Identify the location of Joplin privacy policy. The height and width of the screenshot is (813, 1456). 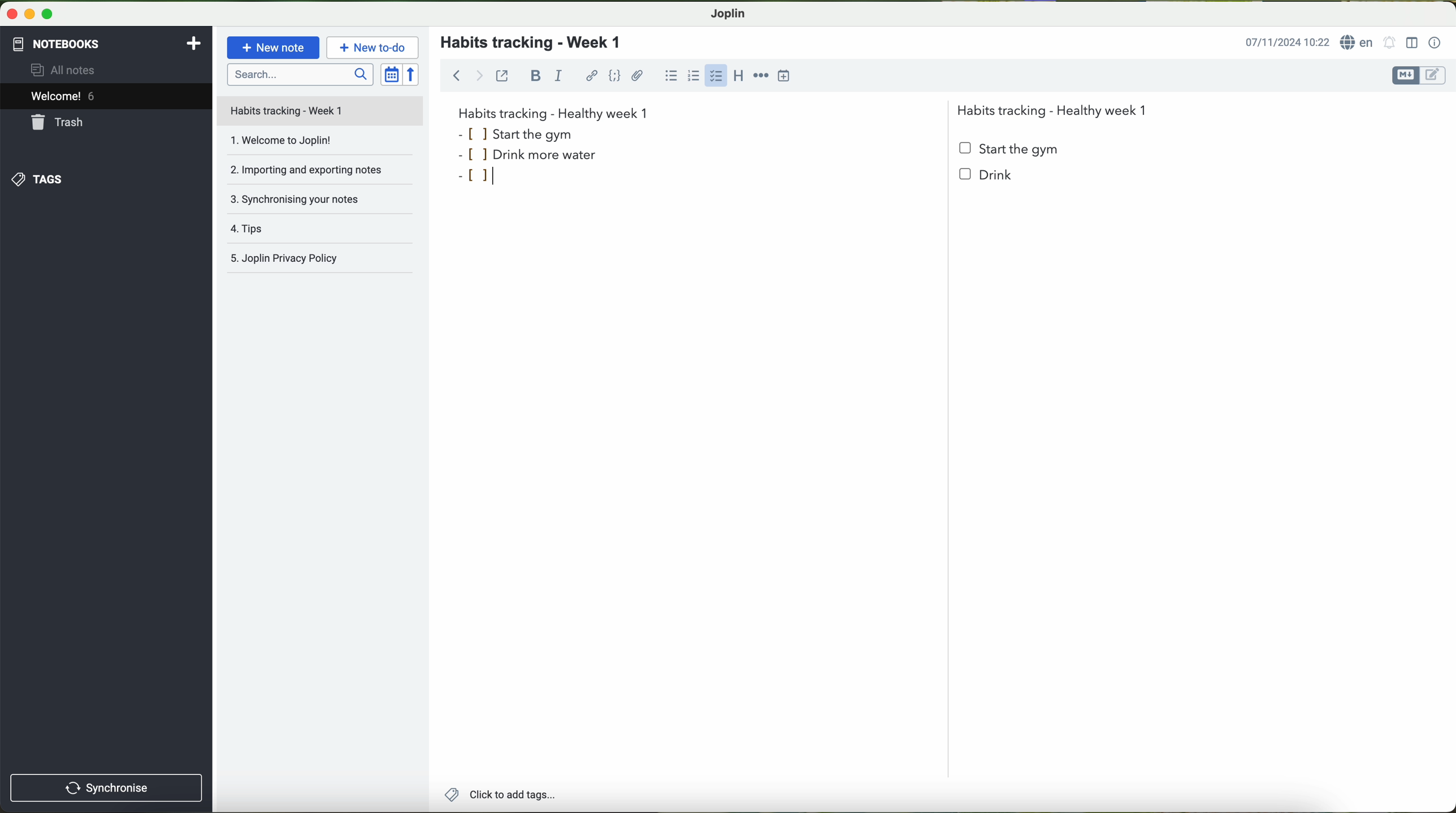
(321, 260).